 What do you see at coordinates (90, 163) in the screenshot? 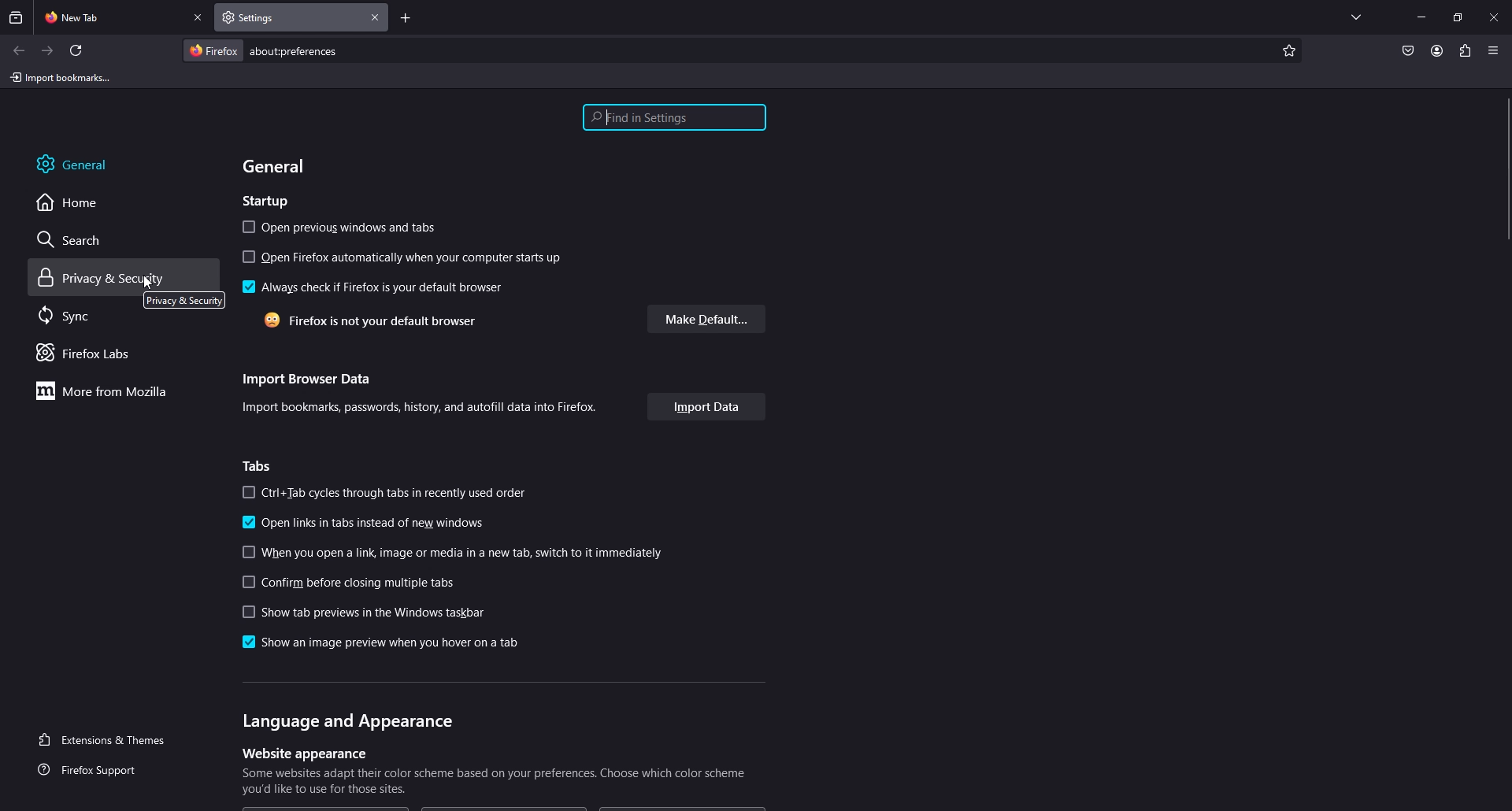
I see `general` at bounding box center [90, 163].